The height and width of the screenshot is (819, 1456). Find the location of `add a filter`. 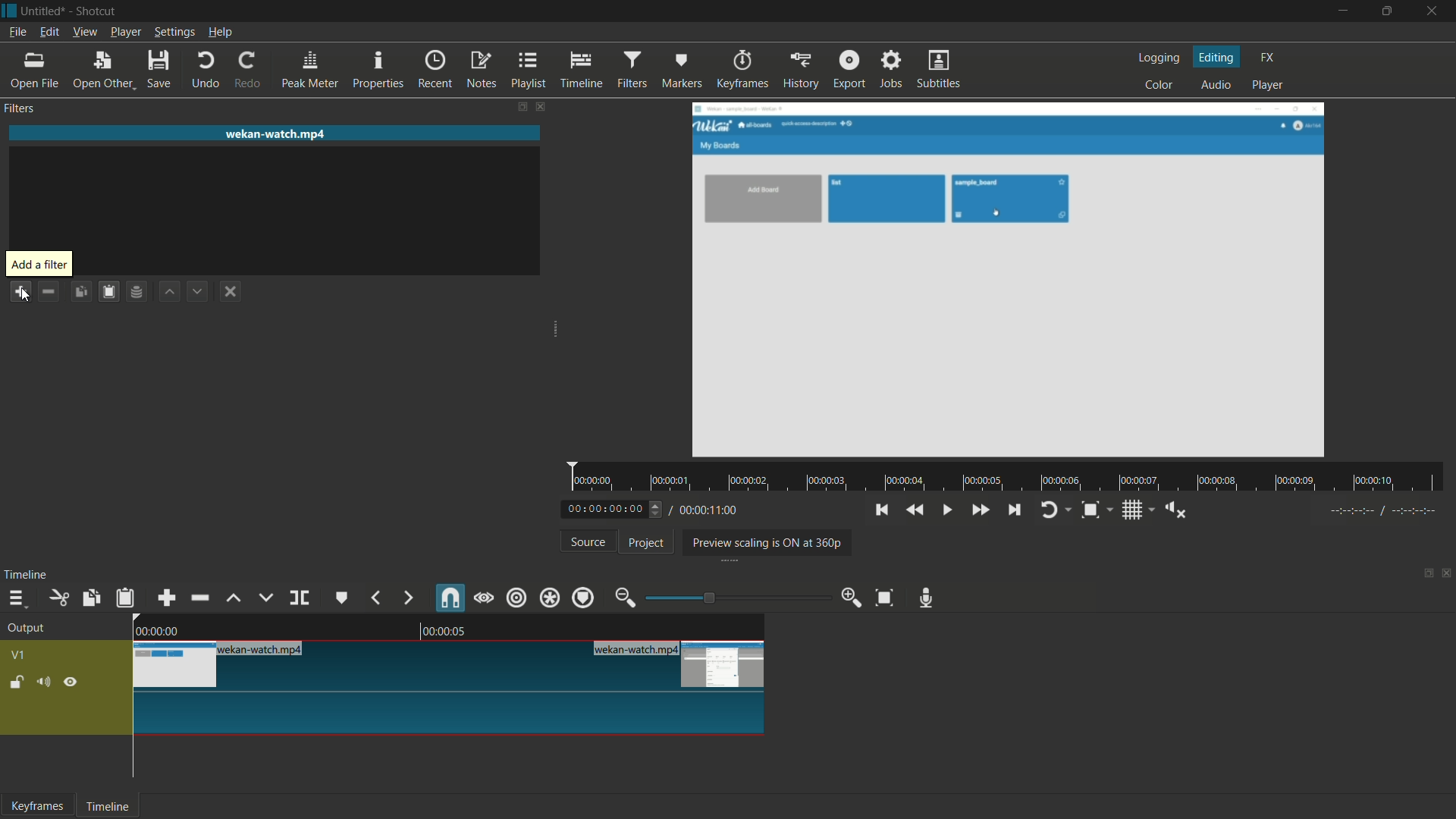

add a filter is located at coordinates (20, 291).